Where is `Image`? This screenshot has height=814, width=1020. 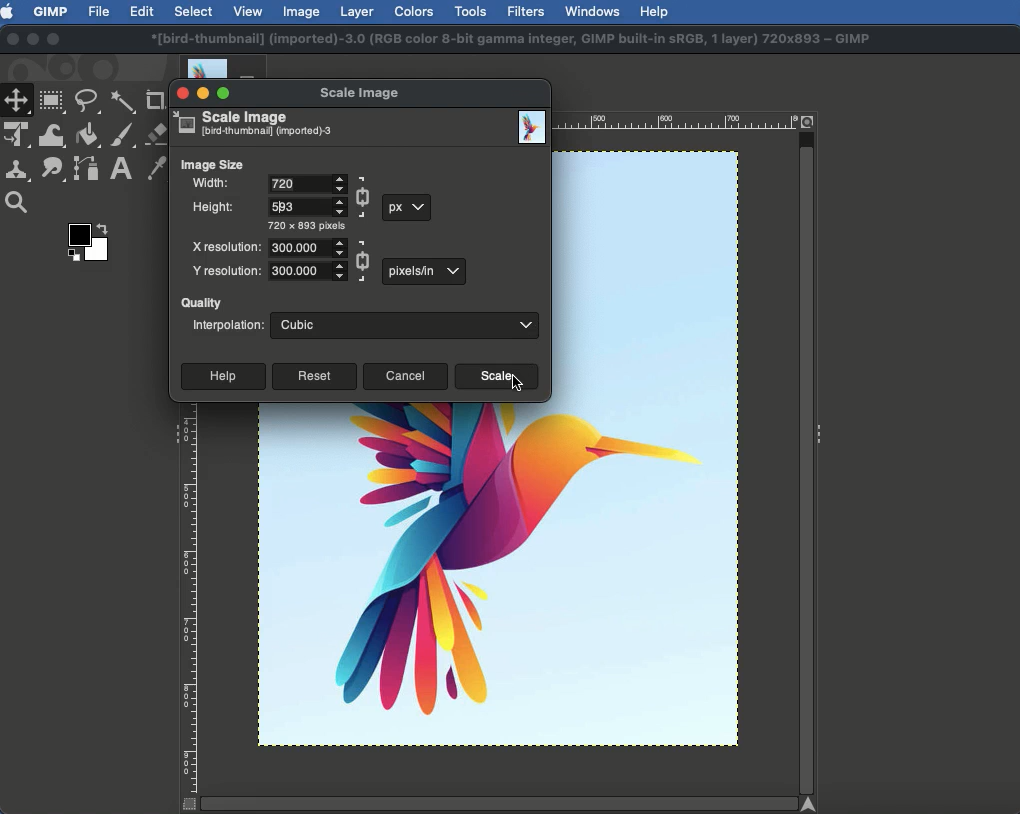 Image is located at coordinates (301, 13).